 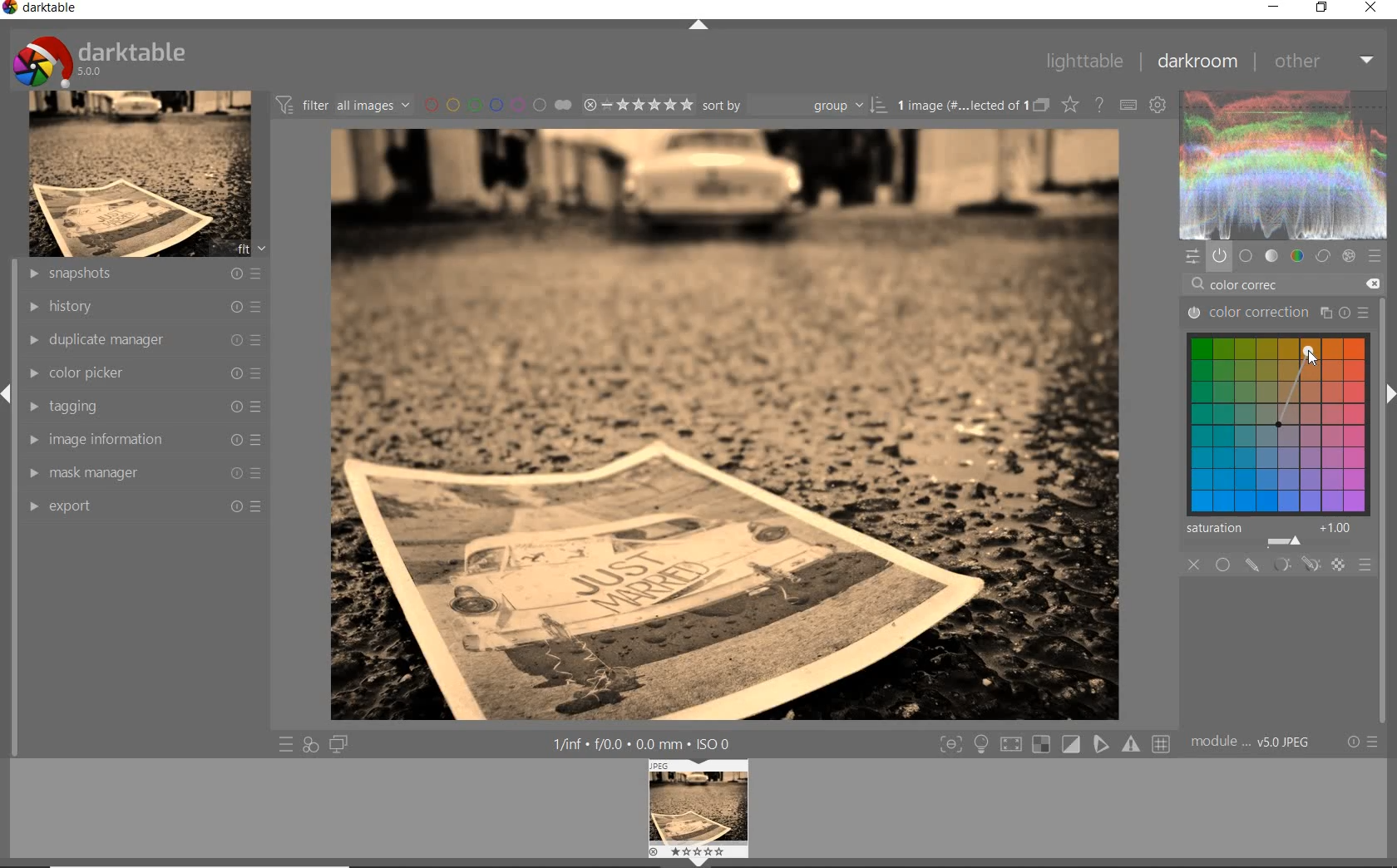 I want to click on base, so click(x=1246, y=257).